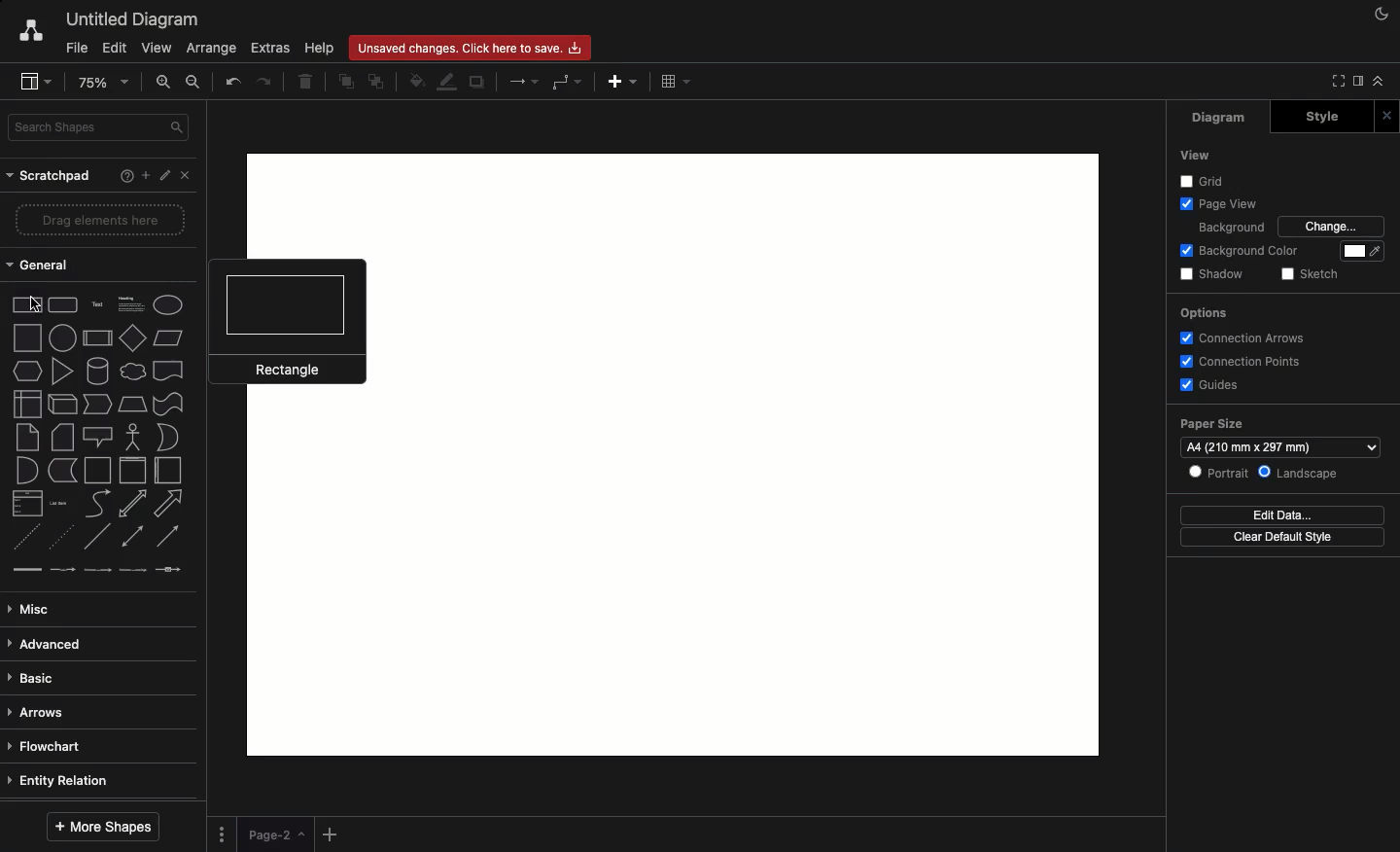 This screenshot has height=852, width=1400. What do you see at coordinates (131, 20) in the screenshot?
I see `Untitled diagram` at bounding box center [131, 20].